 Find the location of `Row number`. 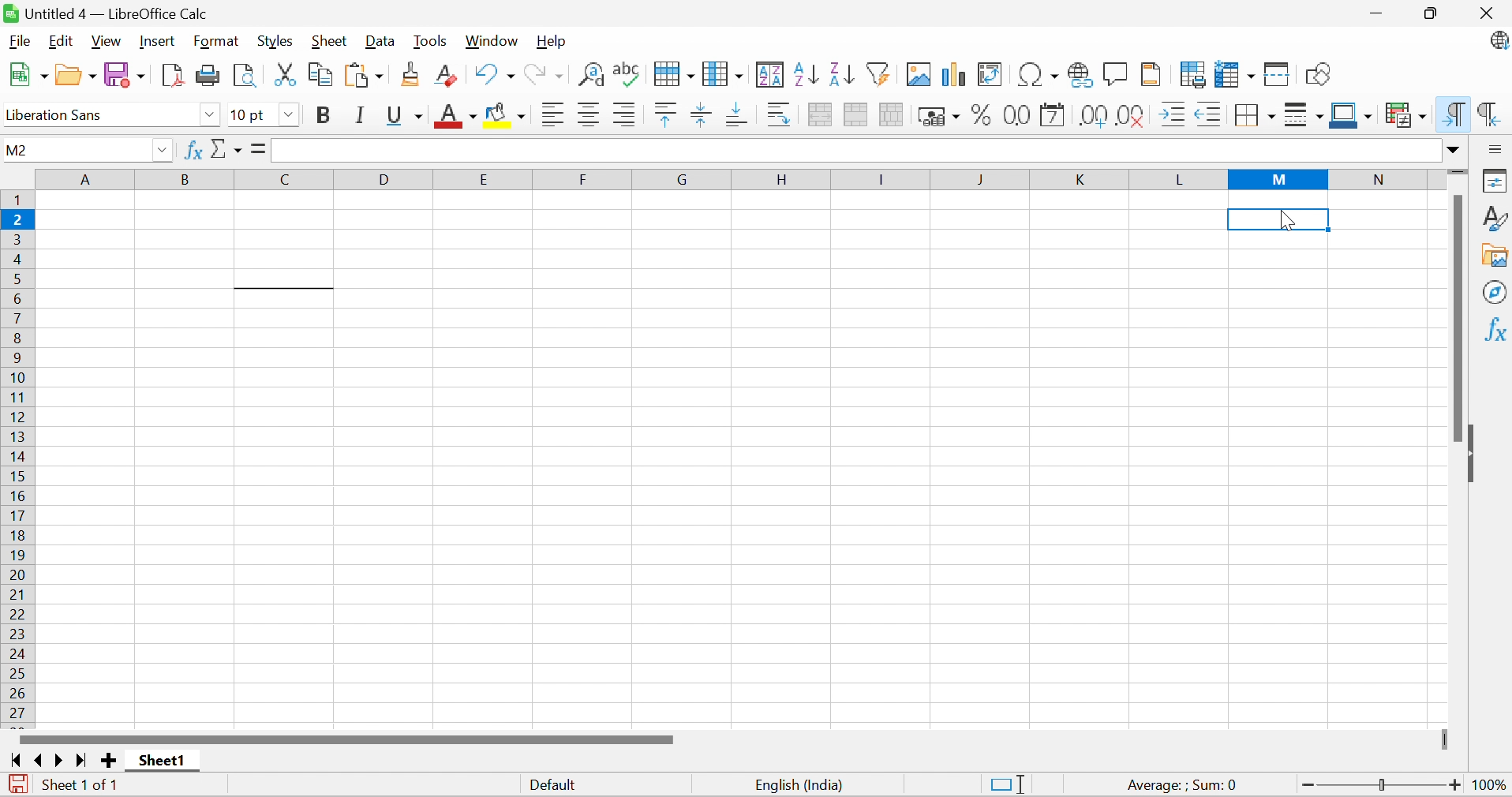

Row number is located at coordinates (18, 458).